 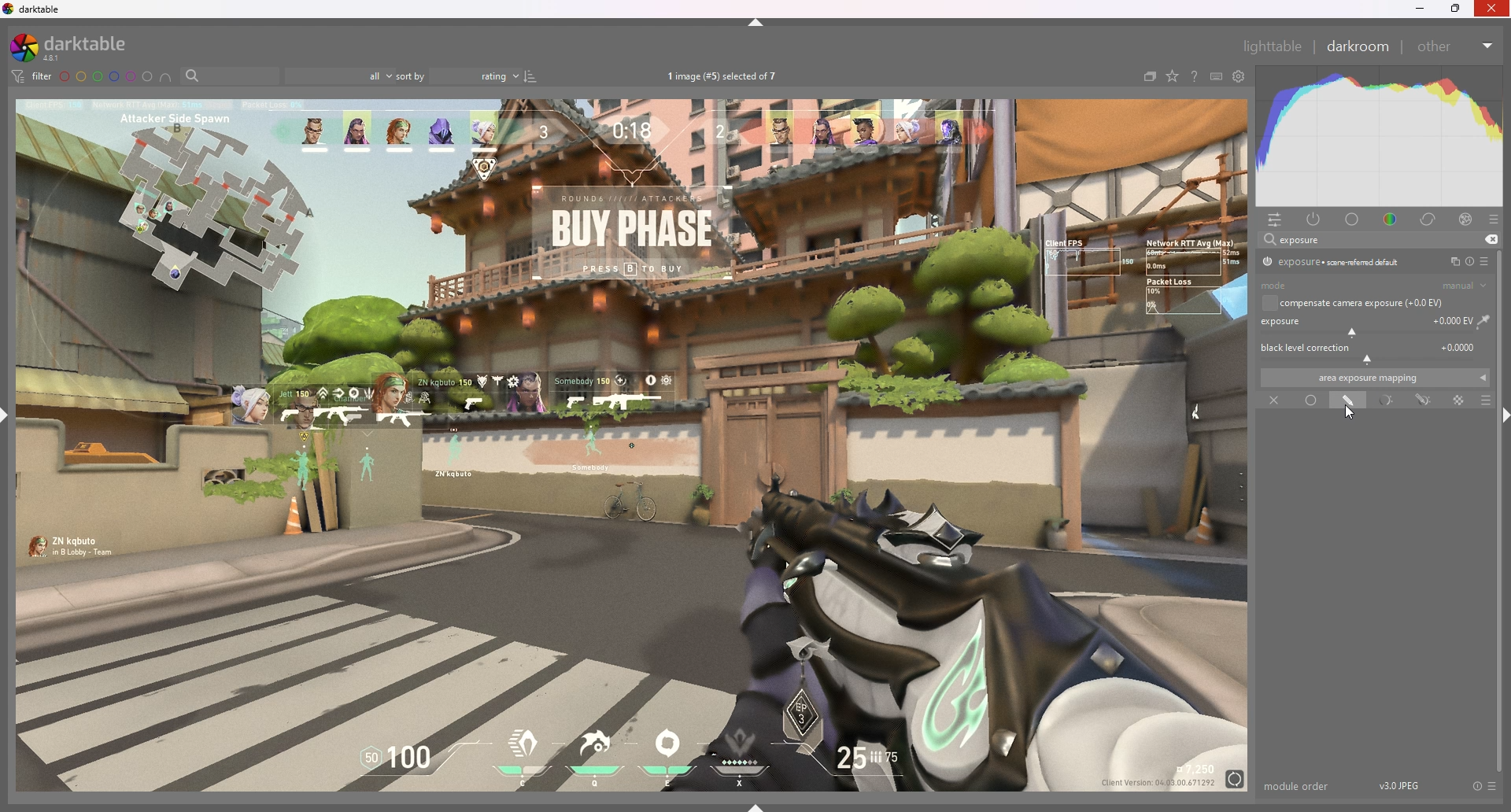 What do you see at coordinates (1390, 220) in the screenshot?
I see `color` at bounding box center [1390, 220].